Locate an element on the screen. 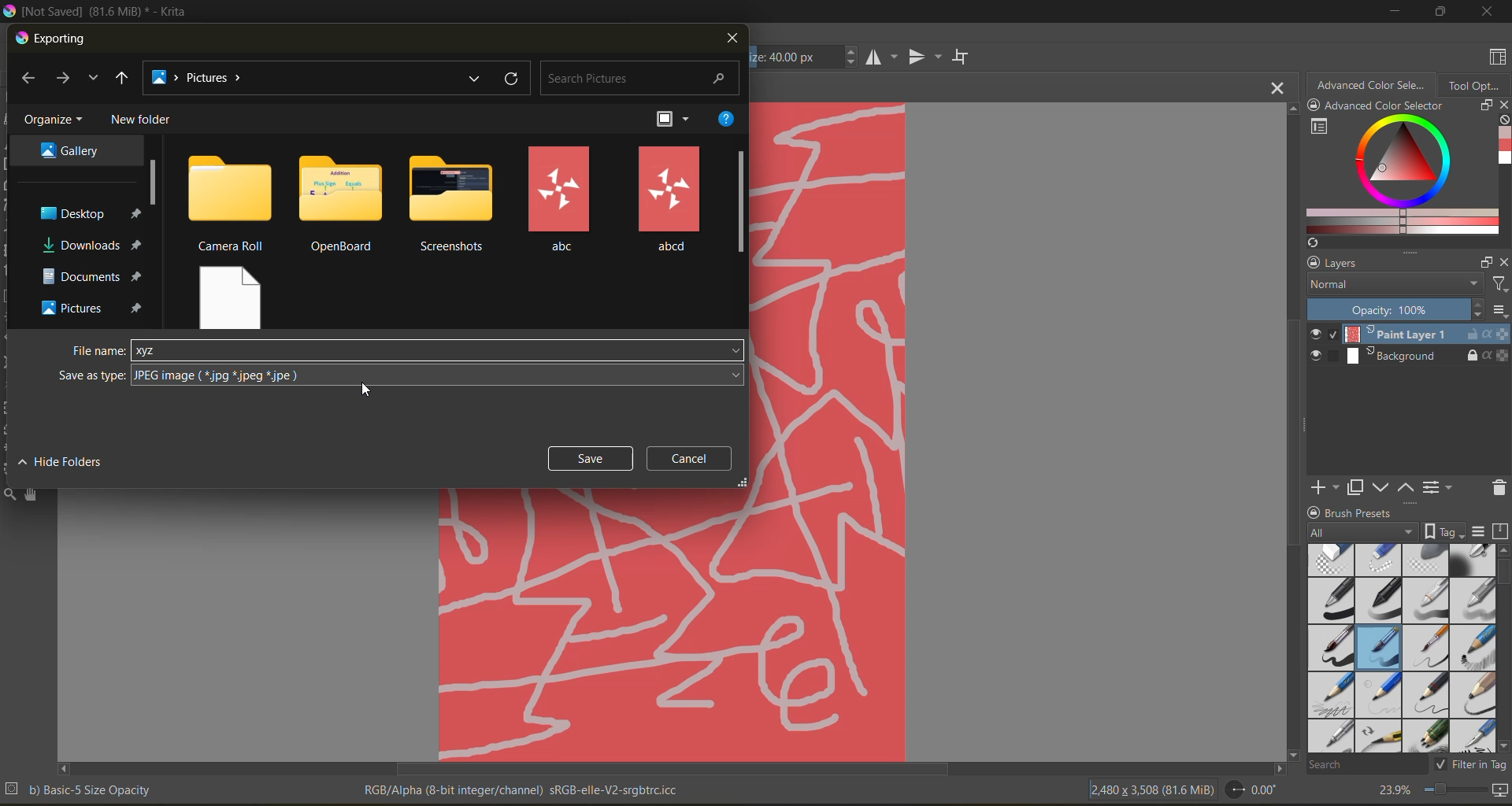 Image resolution: width=1512 pixels, height=806 pixels. zoom is located at coordinates (1455, 792).